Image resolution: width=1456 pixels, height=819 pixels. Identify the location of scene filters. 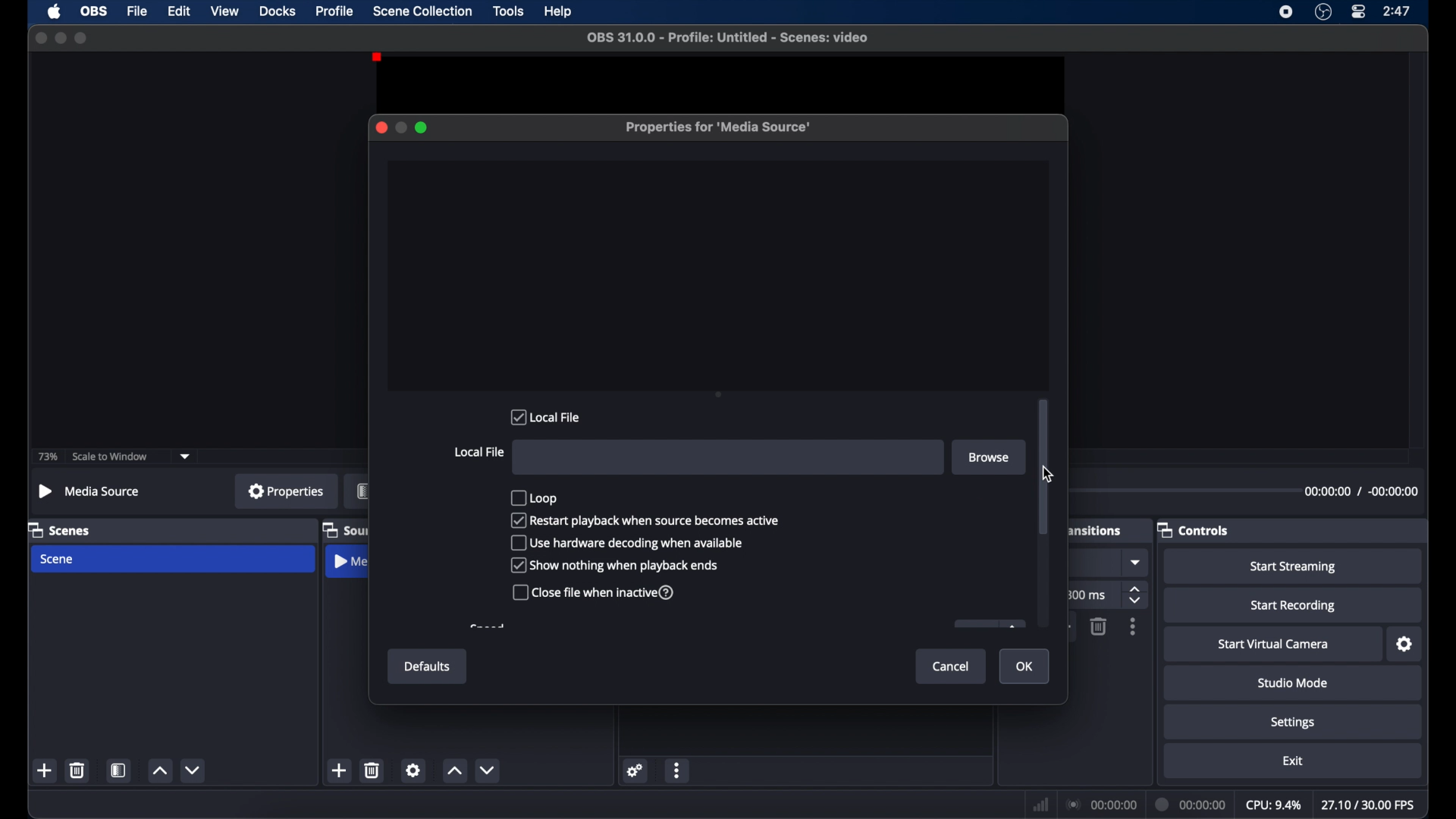
(119, 770).